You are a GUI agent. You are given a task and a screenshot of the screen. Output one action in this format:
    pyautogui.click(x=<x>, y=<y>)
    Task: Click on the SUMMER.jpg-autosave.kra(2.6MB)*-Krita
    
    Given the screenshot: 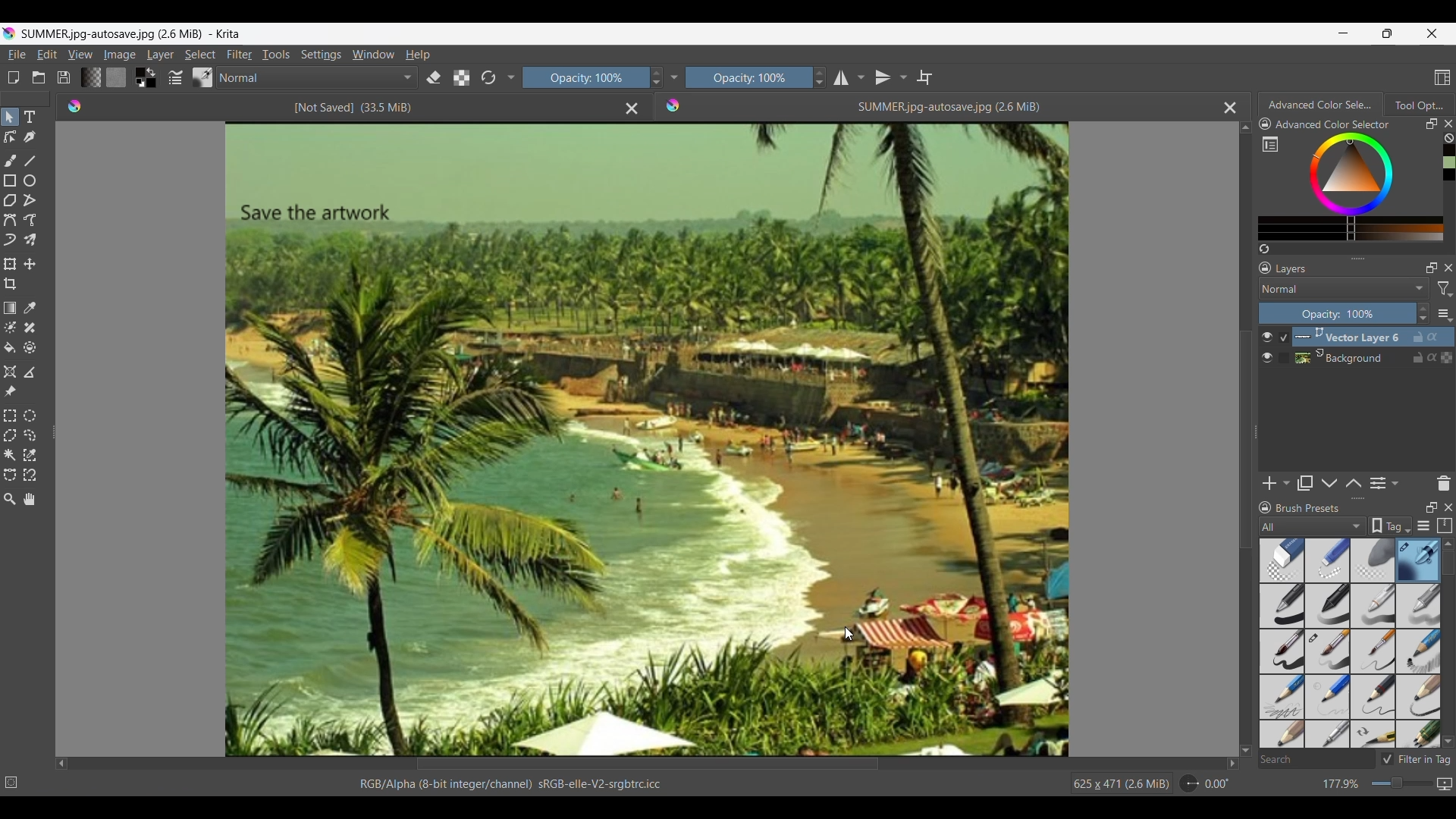 What is the action you would take?
    pyautogui.click(x=136, y=32)
    